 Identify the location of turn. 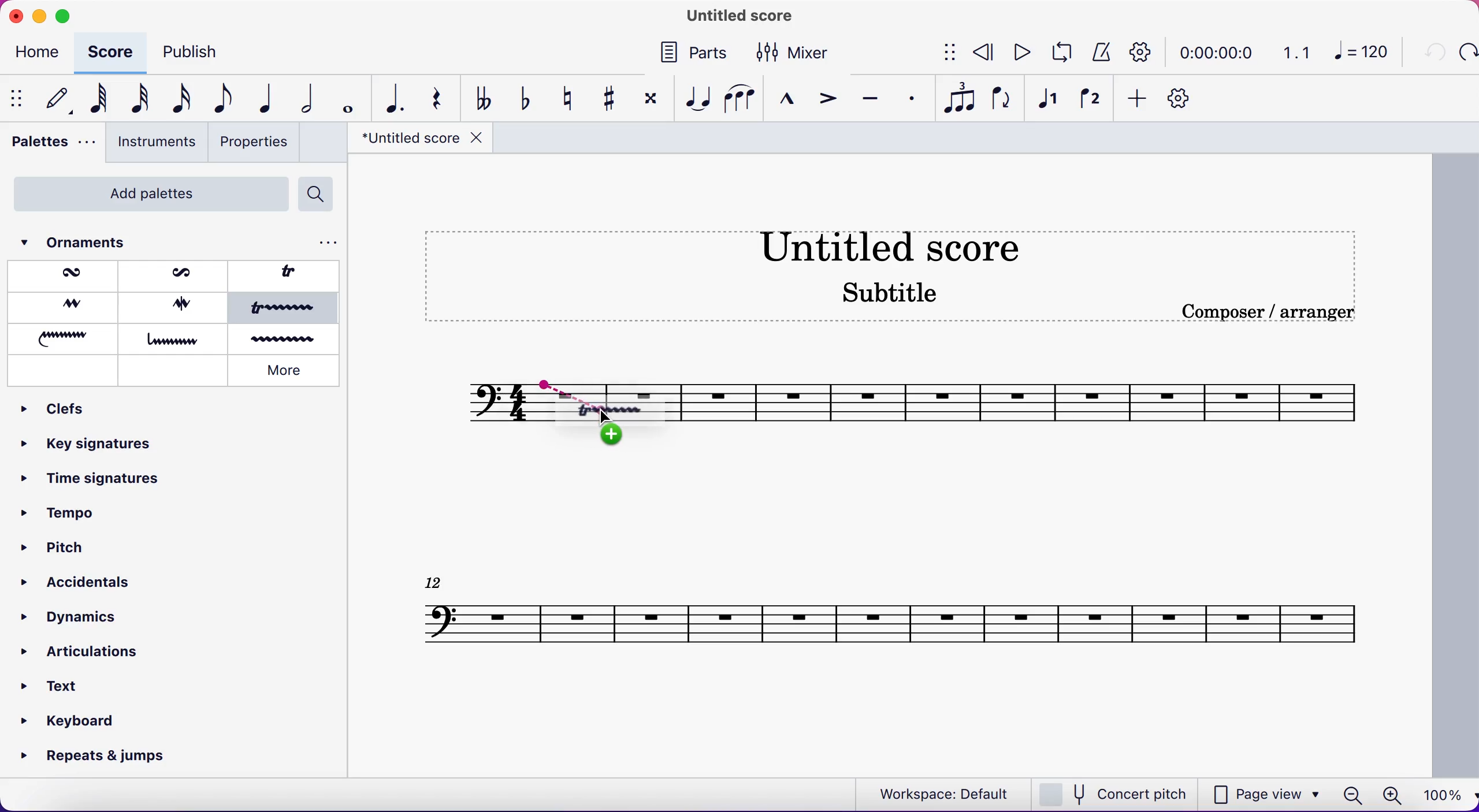
(62, 307).